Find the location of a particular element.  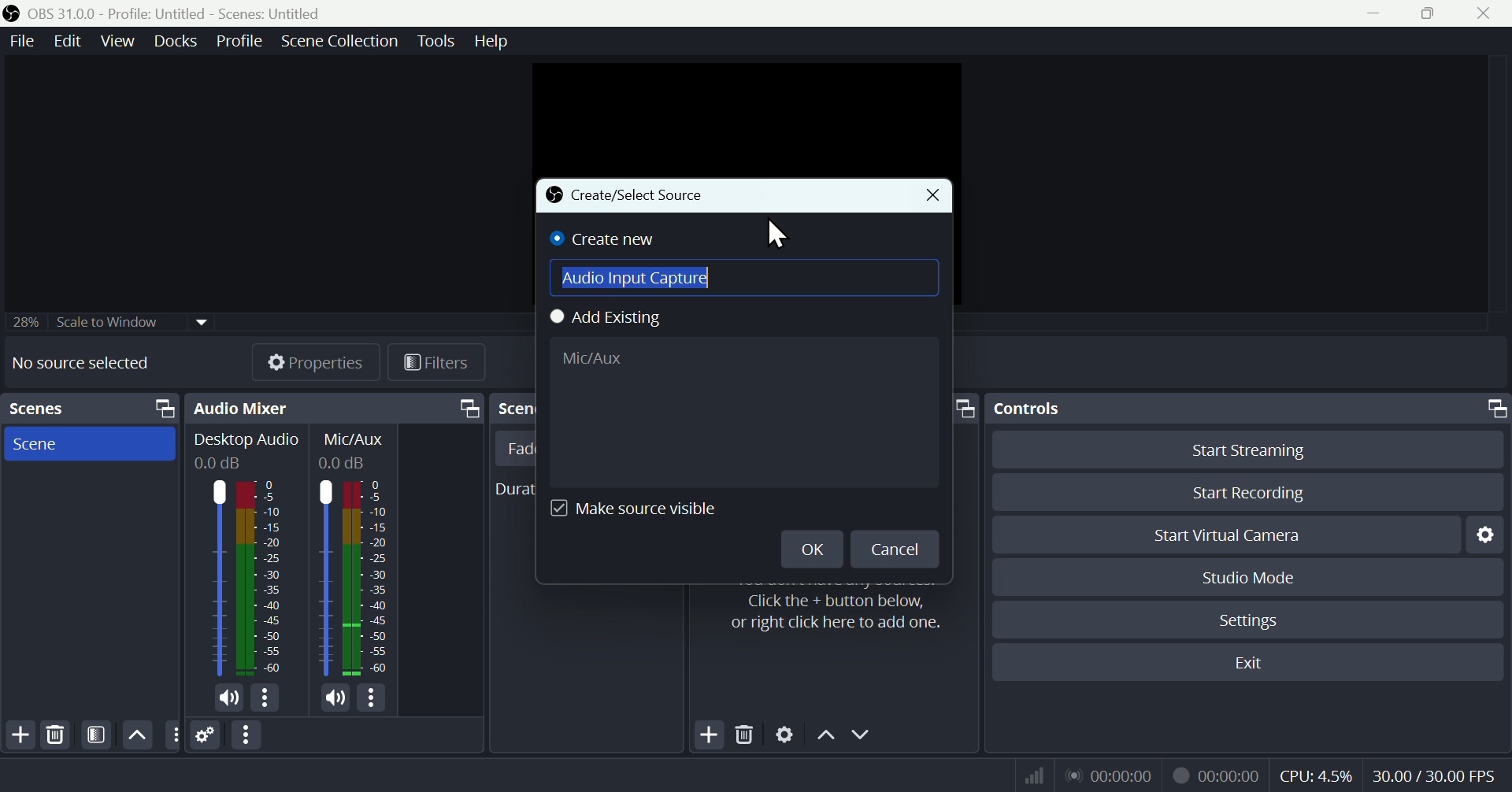

Mic/Aux is located at coordinates (324, 578).